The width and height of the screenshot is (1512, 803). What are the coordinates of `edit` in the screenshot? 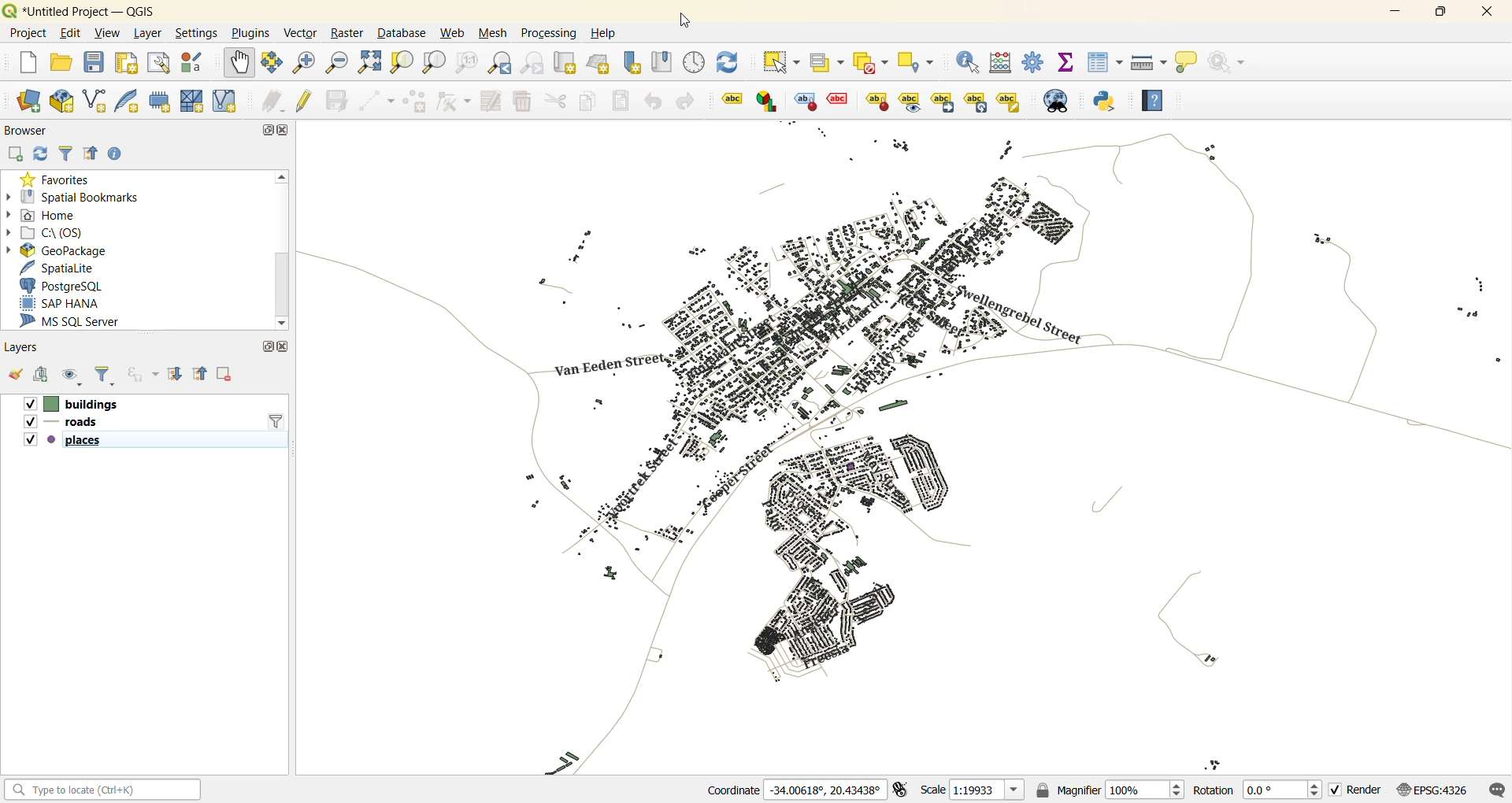 It's located at (71, 33).